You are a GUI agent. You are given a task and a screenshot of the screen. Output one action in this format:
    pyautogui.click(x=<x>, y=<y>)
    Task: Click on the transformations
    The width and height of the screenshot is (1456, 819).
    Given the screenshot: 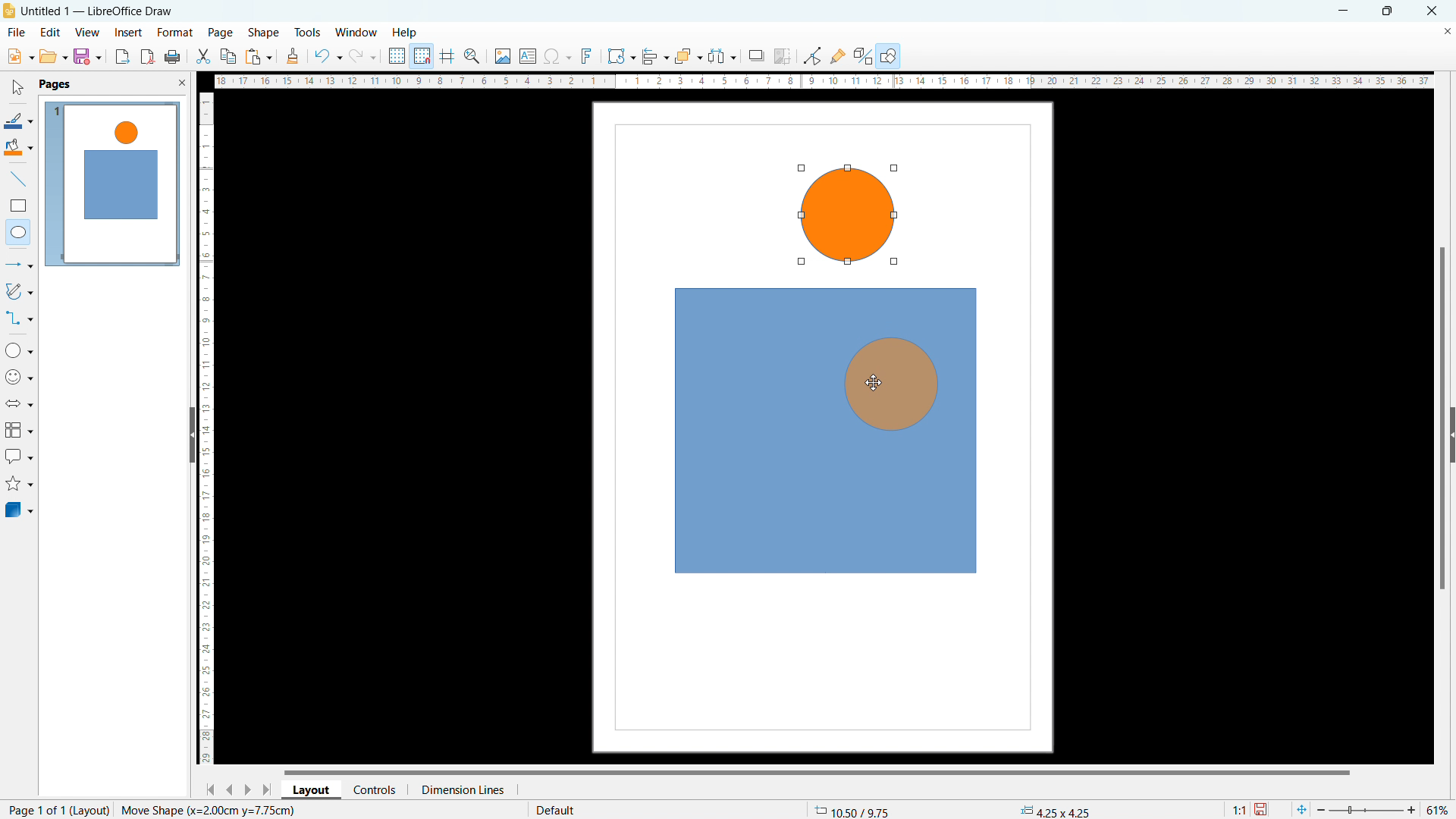 What is the action you would take?
    pyautogui.click(x=620, y=56)
    